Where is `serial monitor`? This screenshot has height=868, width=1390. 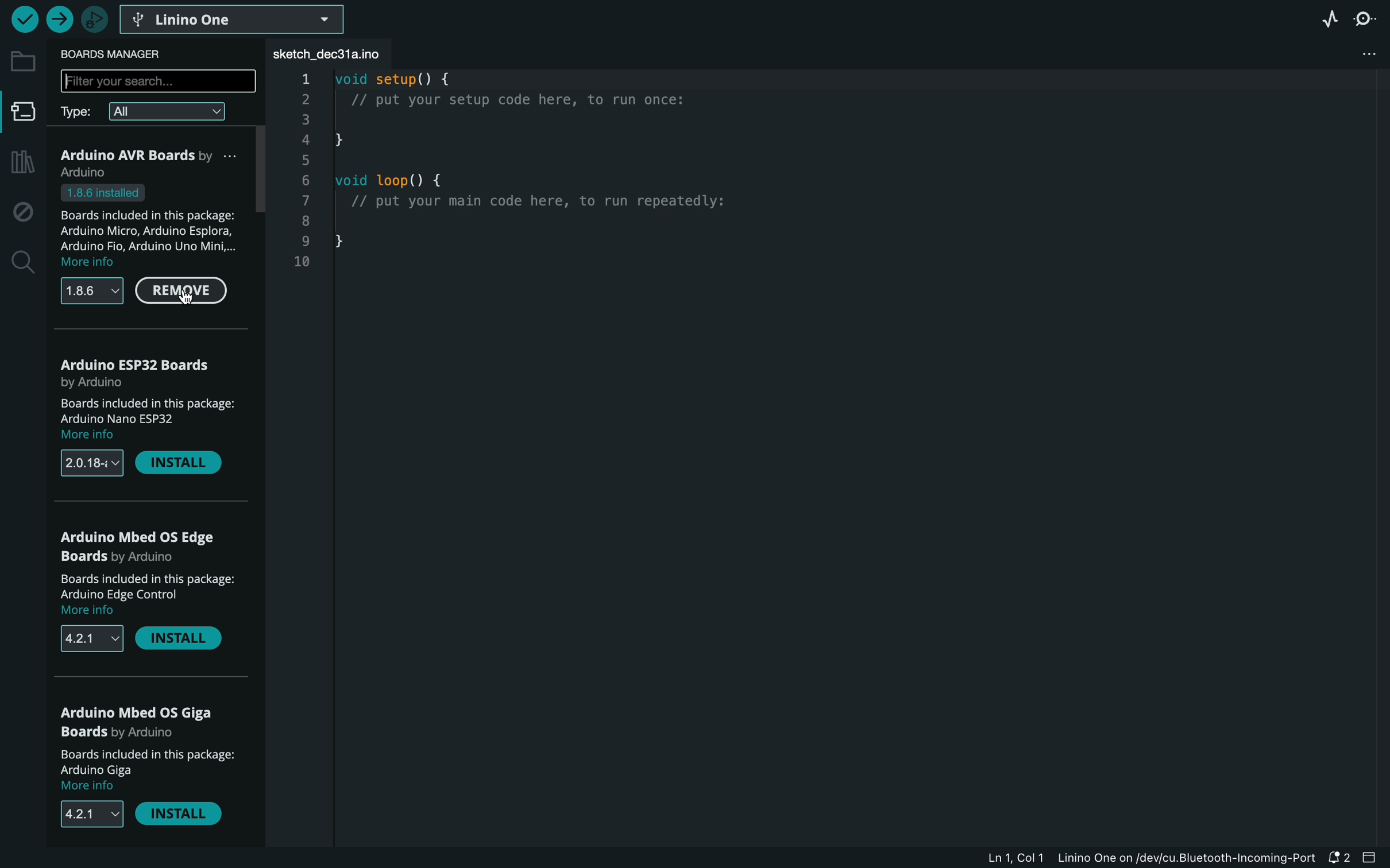
serial monitor is located at coordinates (1368, 20).